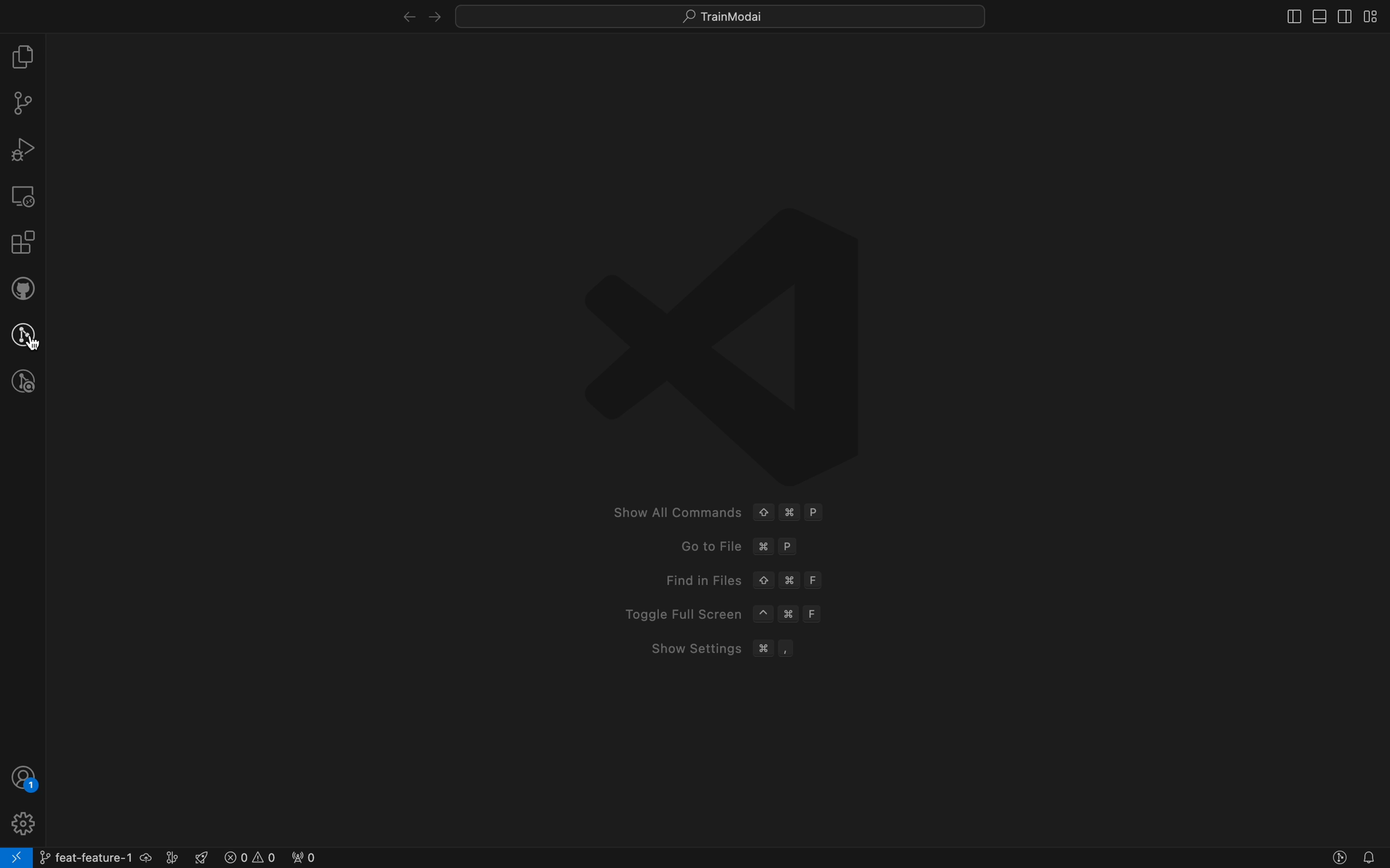 The height and width of the screenshot is (868, 1390). What do you see at coordinates (26, 335) in the screenshot?
I see `gitlens` at bounding box center [26, 335].